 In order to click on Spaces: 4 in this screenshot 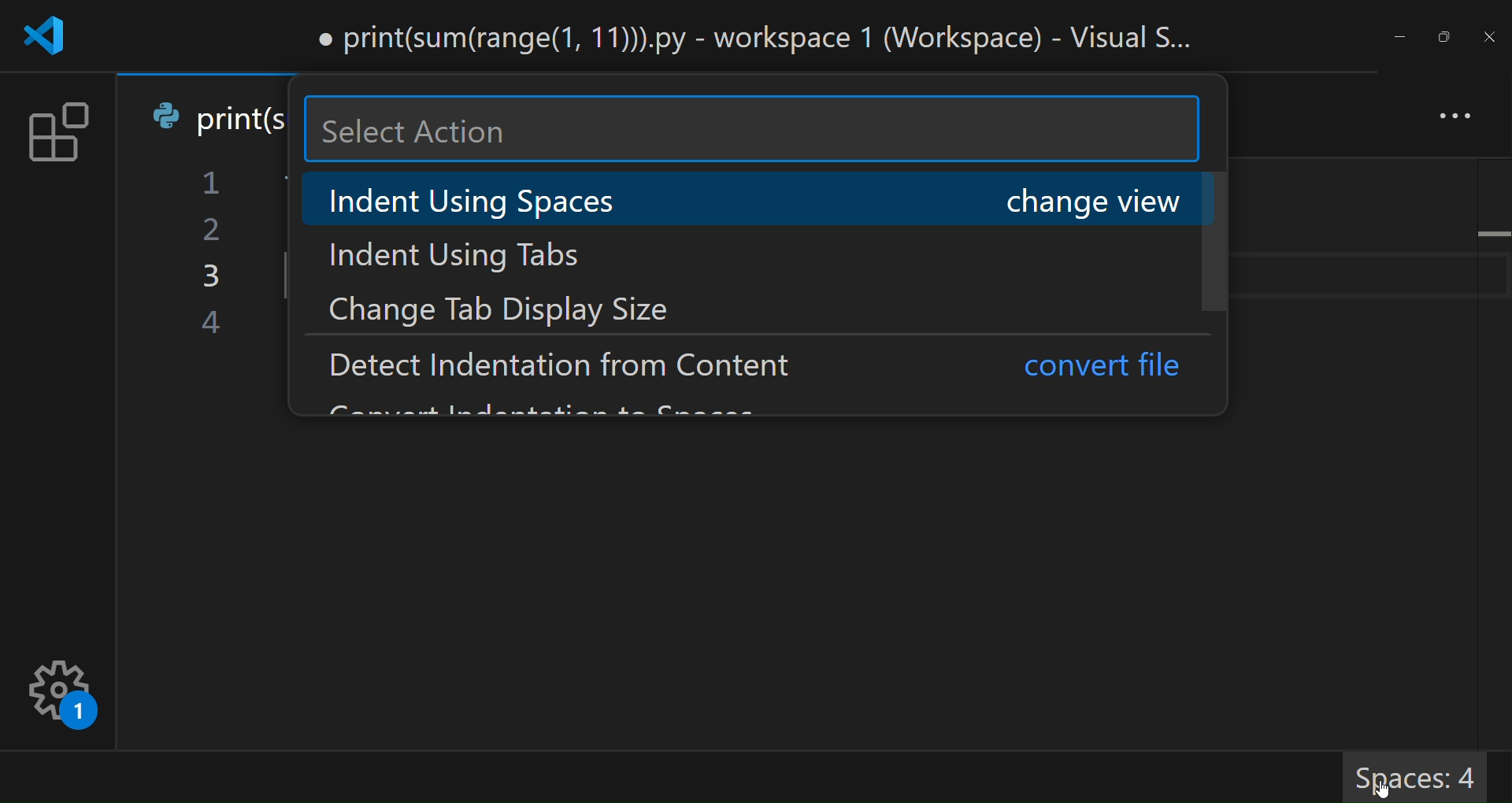, I will do `click(1425, 779)`.